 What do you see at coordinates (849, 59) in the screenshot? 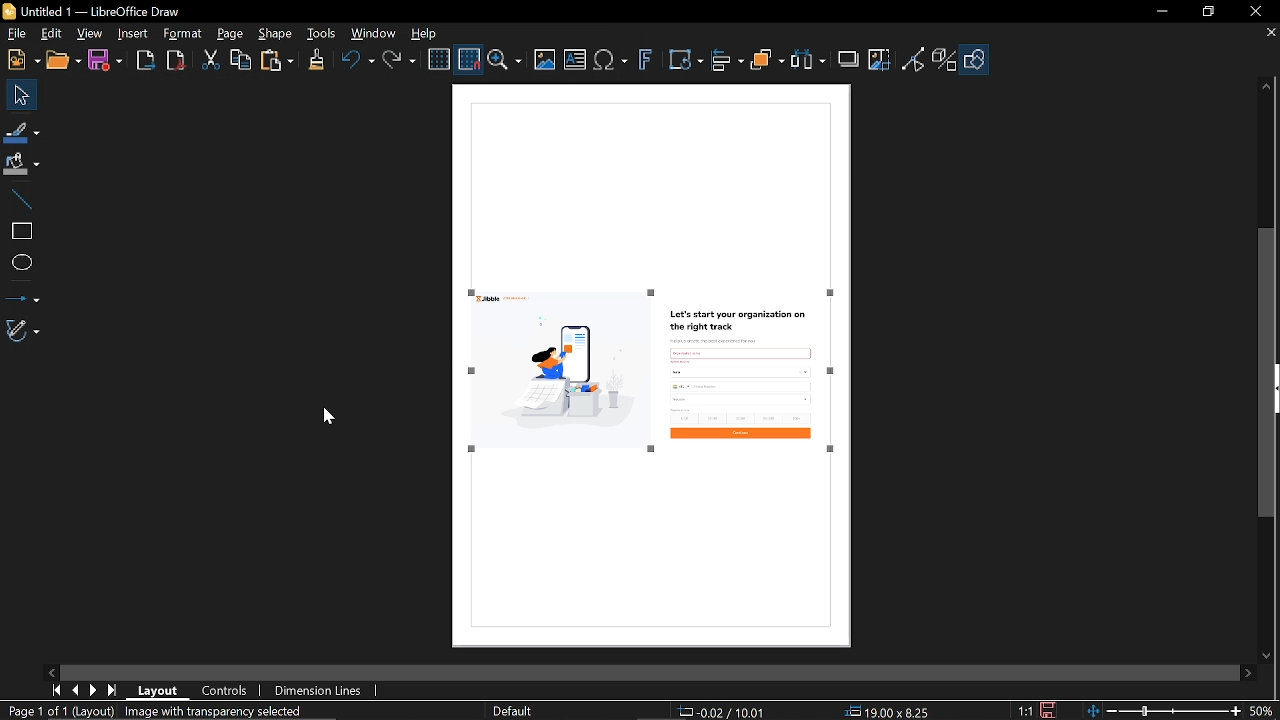
I see `Shadow` at bounding box center [849, 59].